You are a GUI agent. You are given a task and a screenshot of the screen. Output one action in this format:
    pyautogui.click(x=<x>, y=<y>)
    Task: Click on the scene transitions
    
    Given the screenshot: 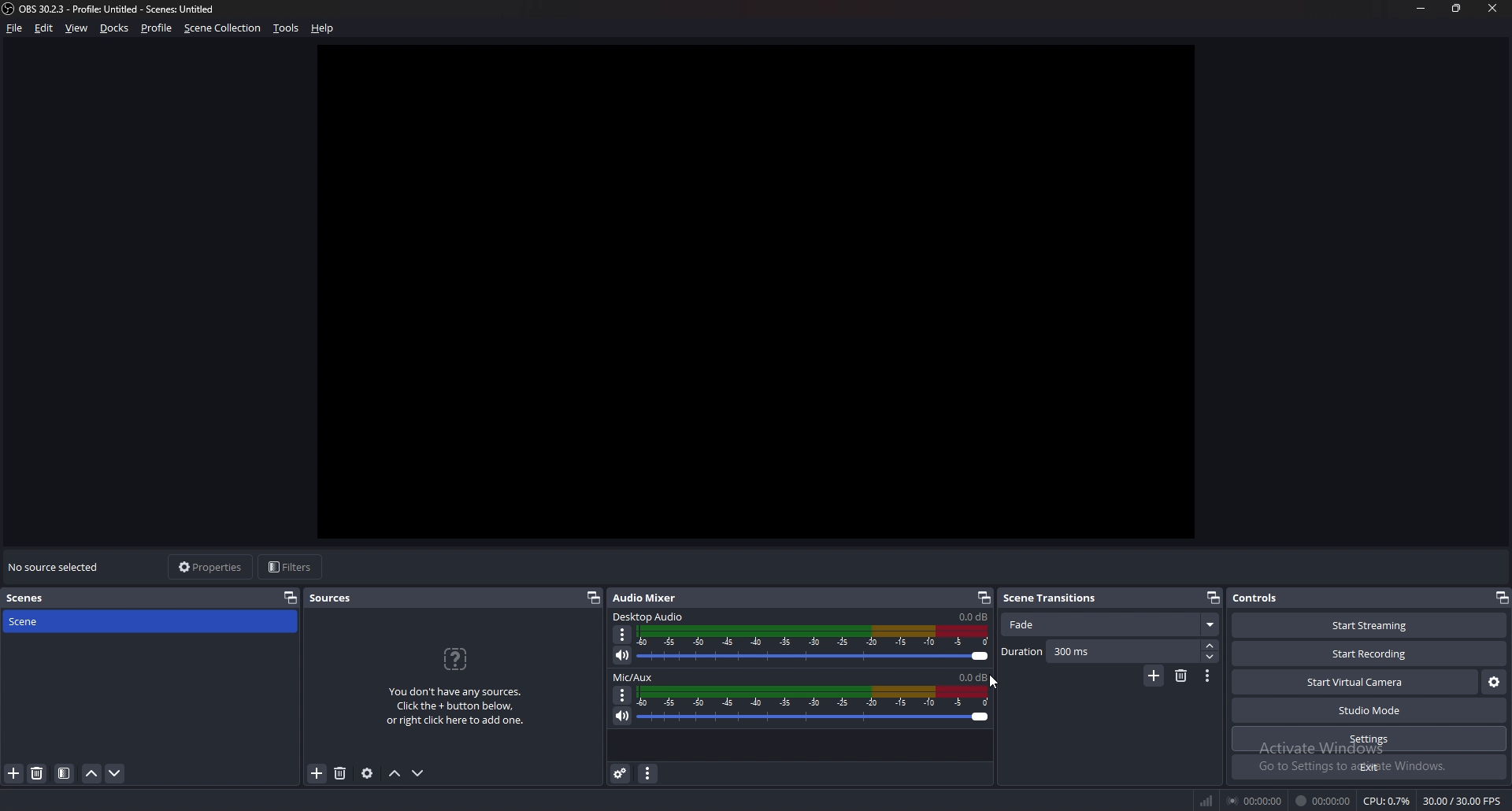 What is the action you would take?
    pyautogui.click(x=1057, y=599)
    